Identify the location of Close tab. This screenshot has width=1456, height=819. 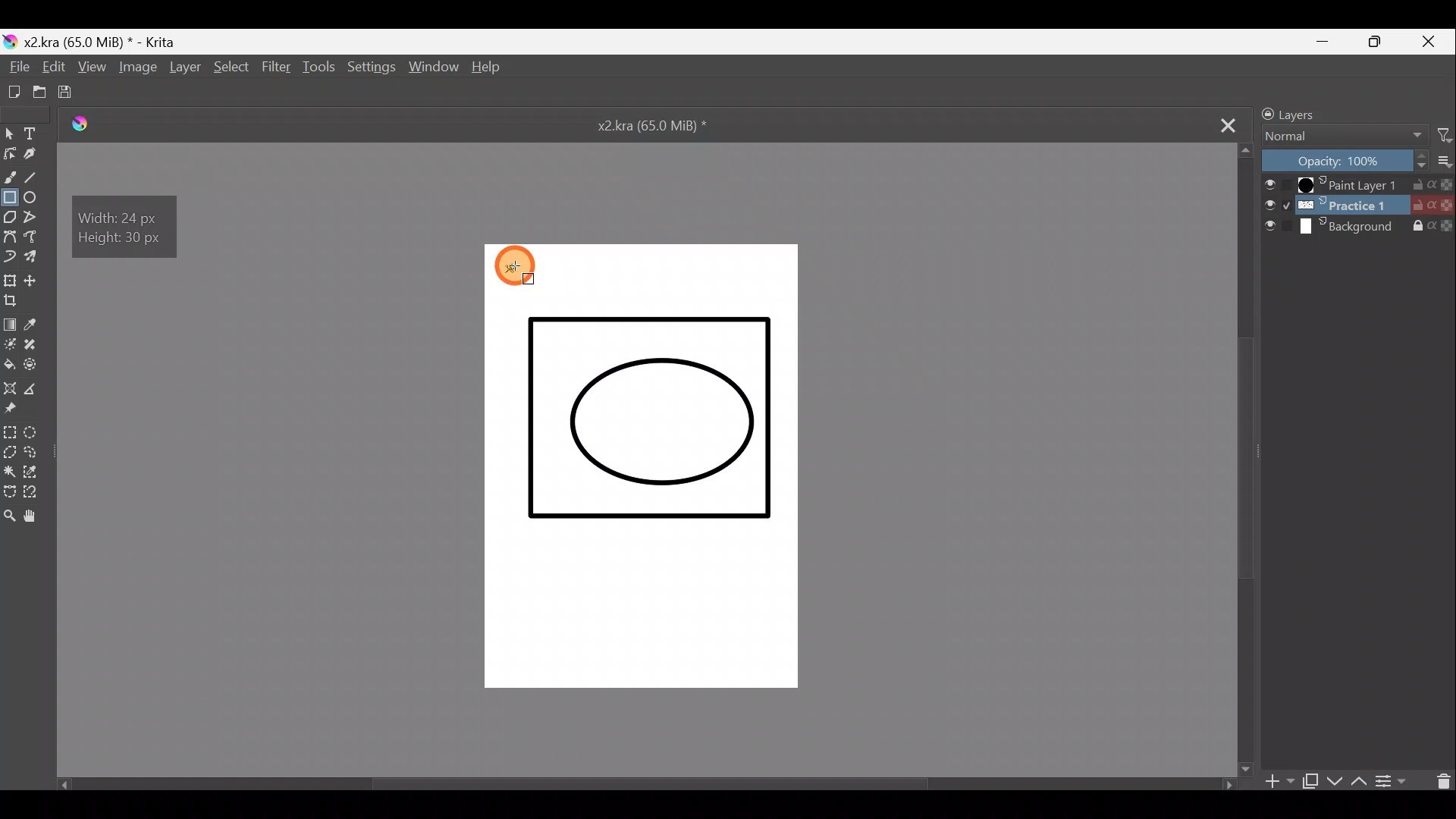
(1222, 127).